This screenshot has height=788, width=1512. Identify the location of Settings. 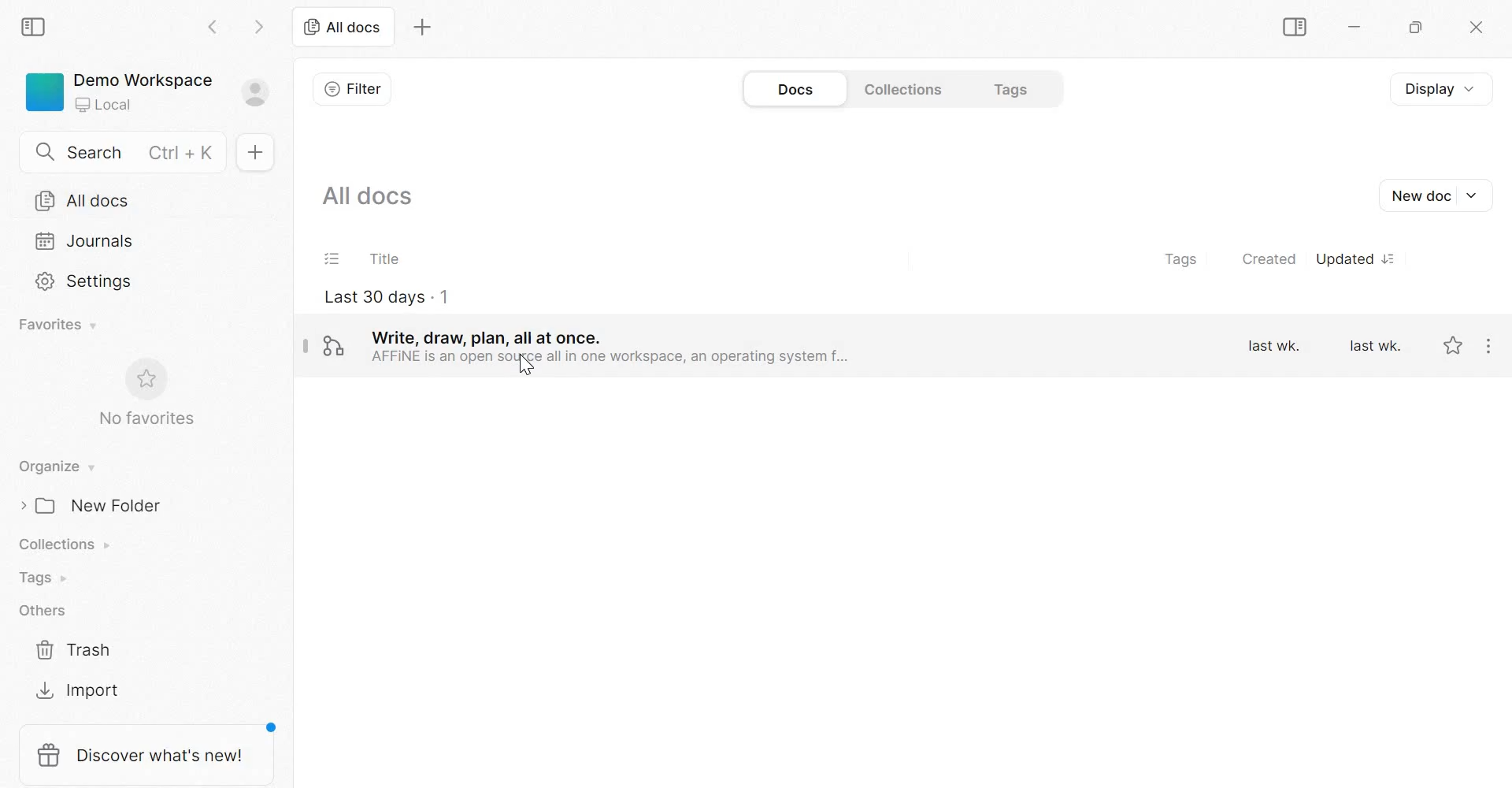
(83, 283).